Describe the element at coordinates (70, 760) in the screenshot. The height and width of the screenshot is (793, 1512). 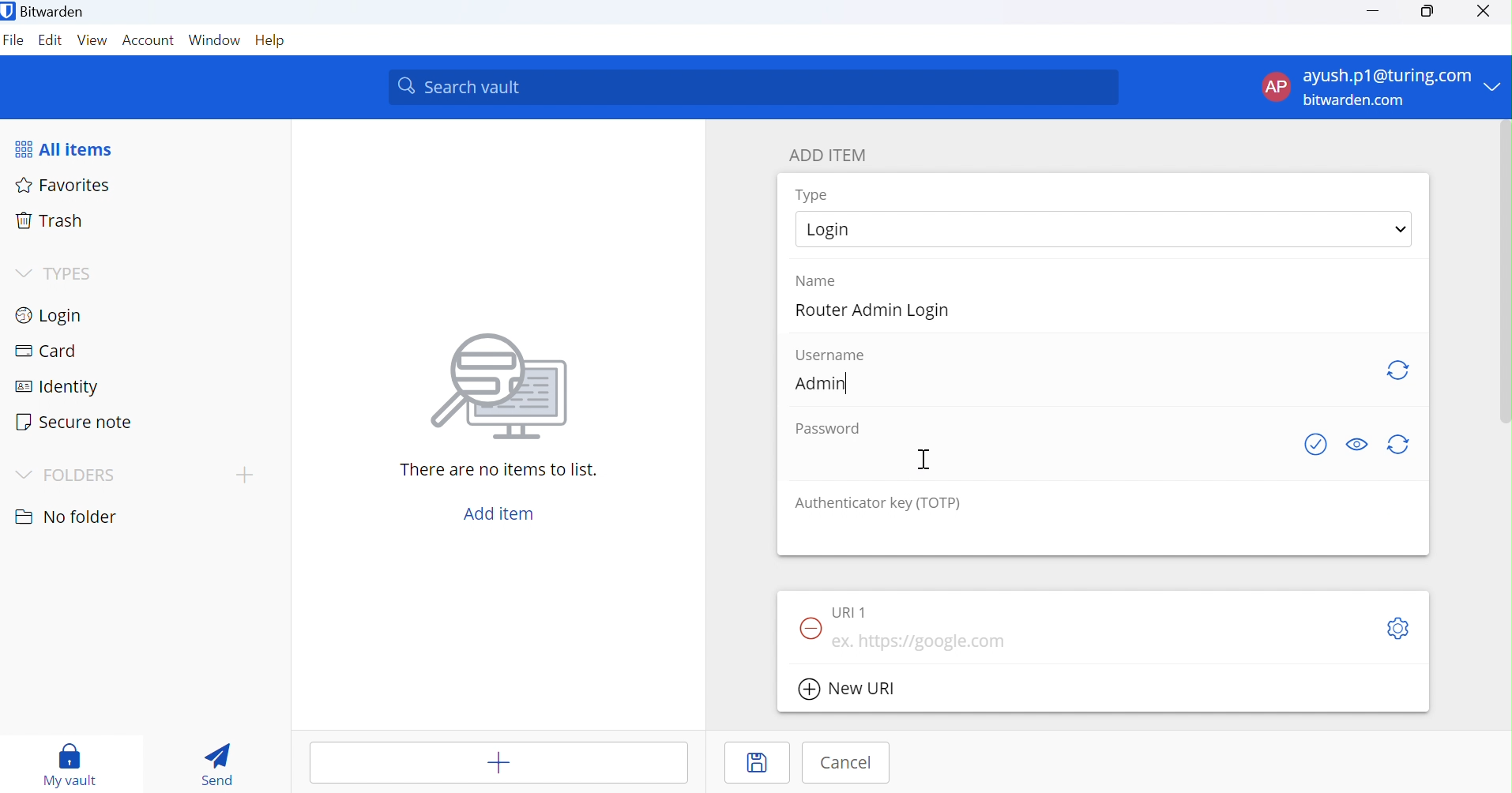
I see `My vault` at that location.